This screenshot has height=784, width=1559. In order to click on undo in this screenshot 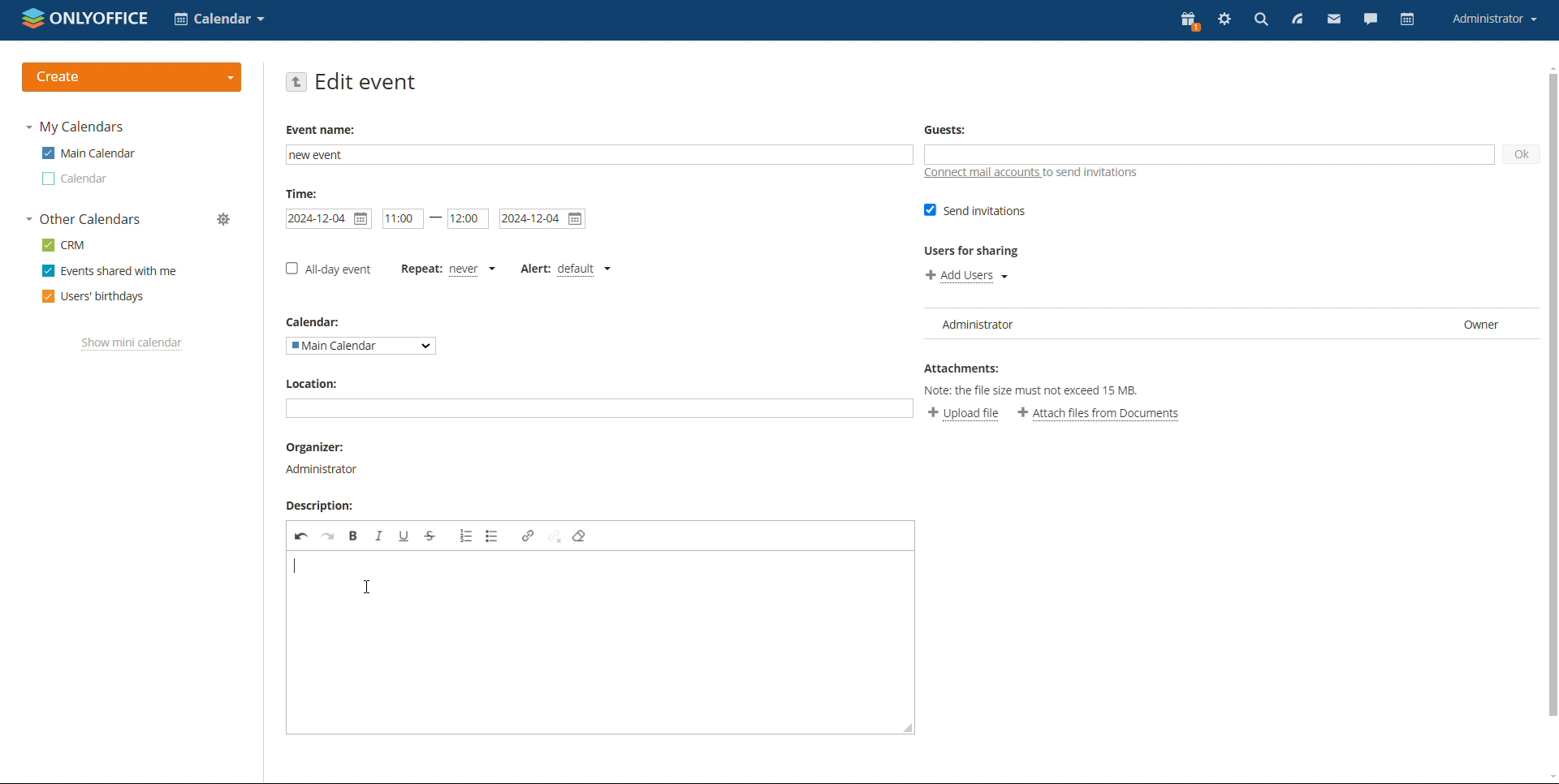, I will do `click(301, 536)`.